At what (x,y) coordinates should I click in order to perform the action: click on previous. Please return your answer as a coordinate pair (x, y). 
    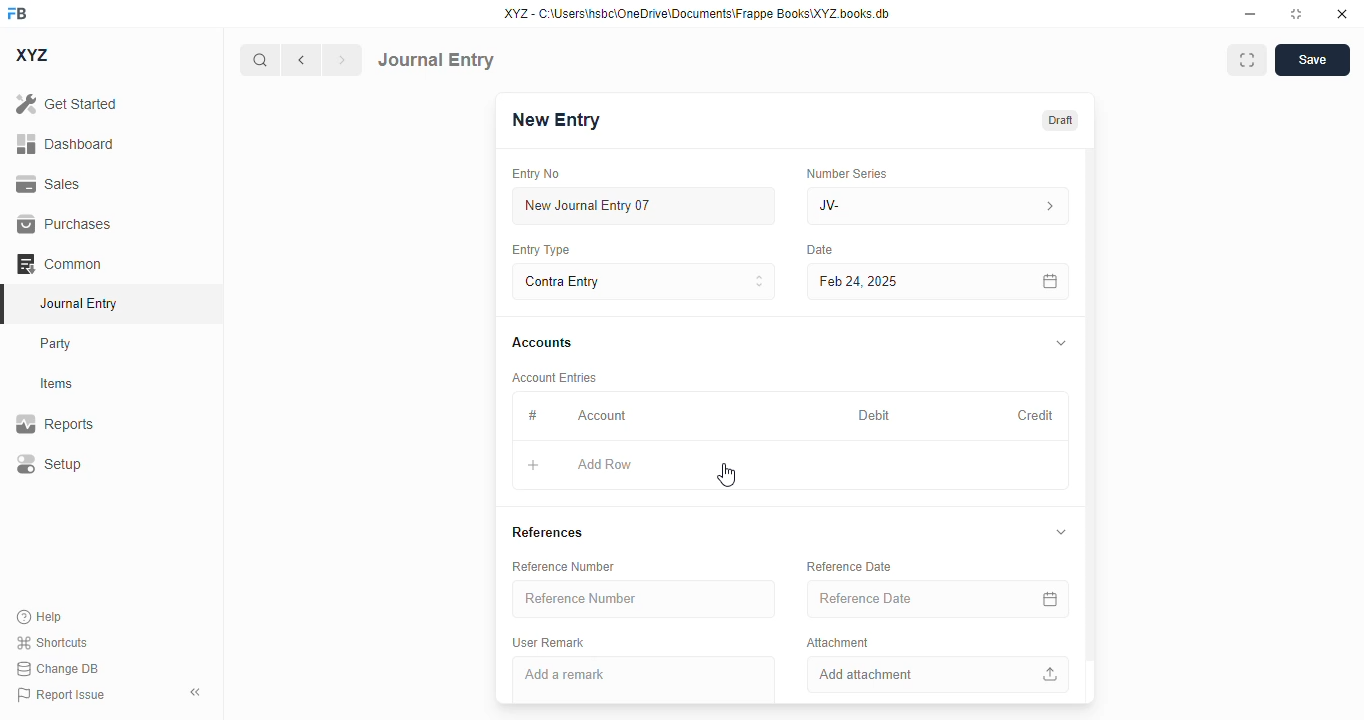
    Looking at the image, I should click on (301, 60).